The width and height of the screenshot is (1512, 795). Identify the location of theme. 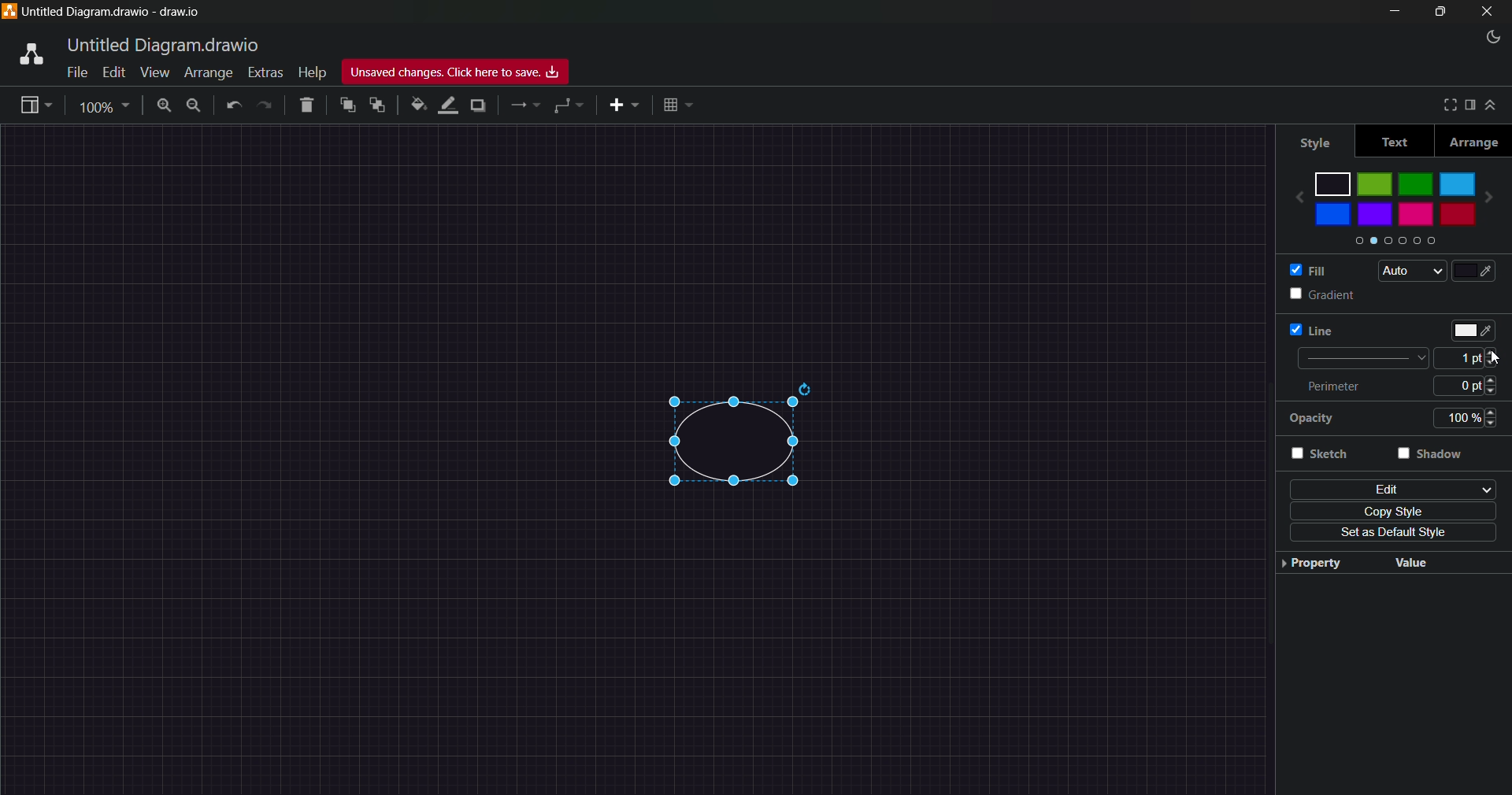
(1496, 38).